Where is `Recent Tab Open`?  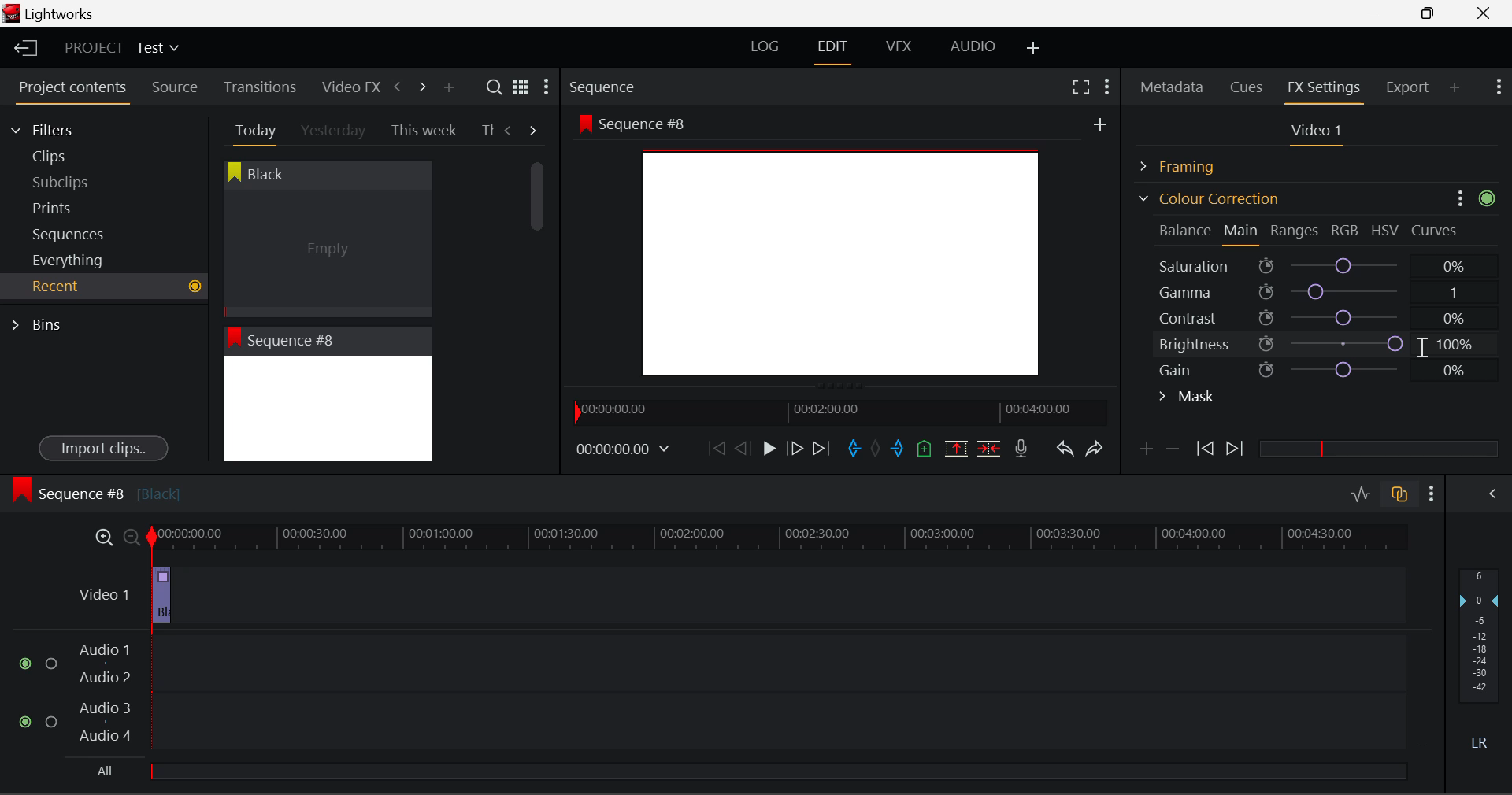 Recent Tab Open is located at coordinates (104, 287).